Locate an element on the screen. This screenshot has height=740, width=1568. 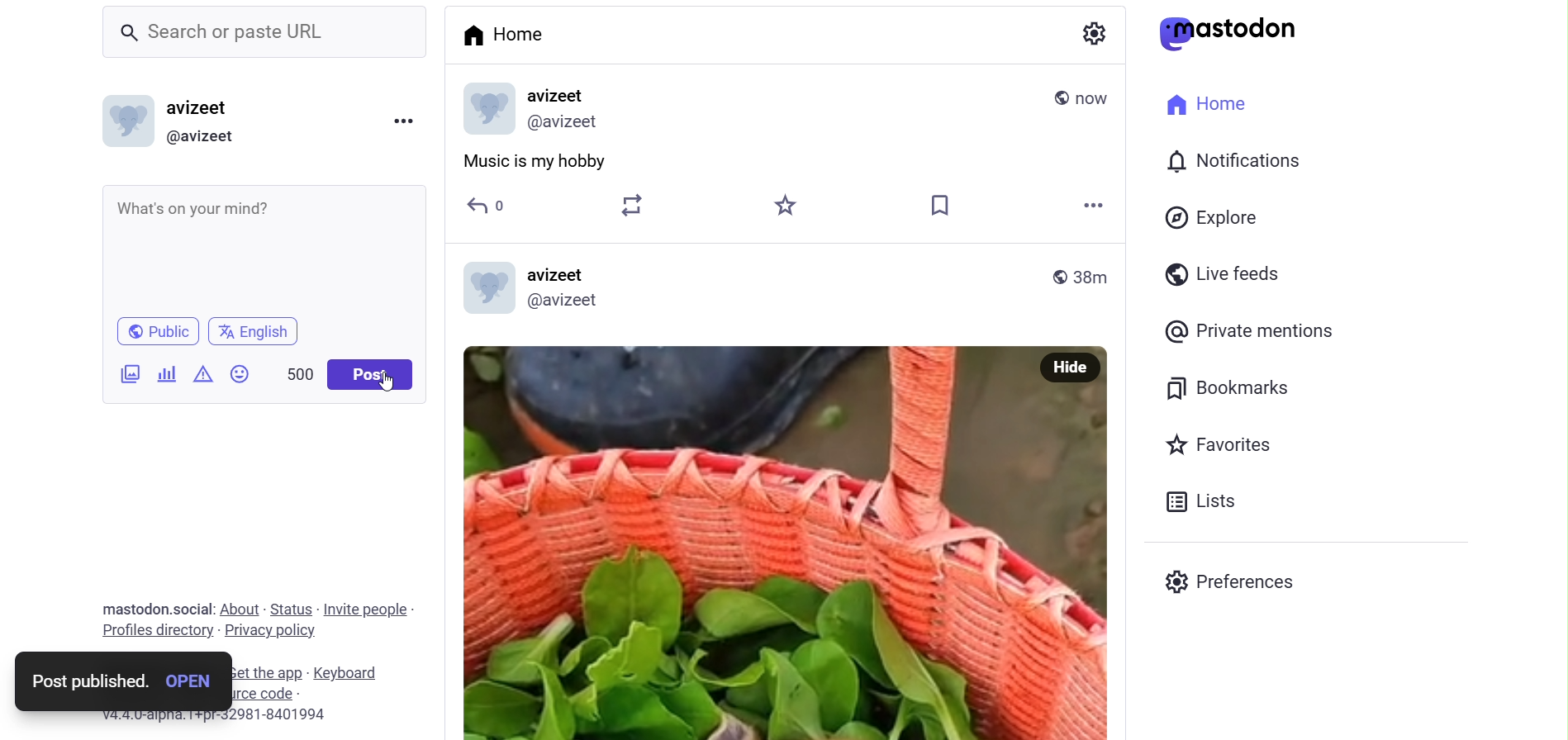
Data Content is located at coordinates (205, 372).